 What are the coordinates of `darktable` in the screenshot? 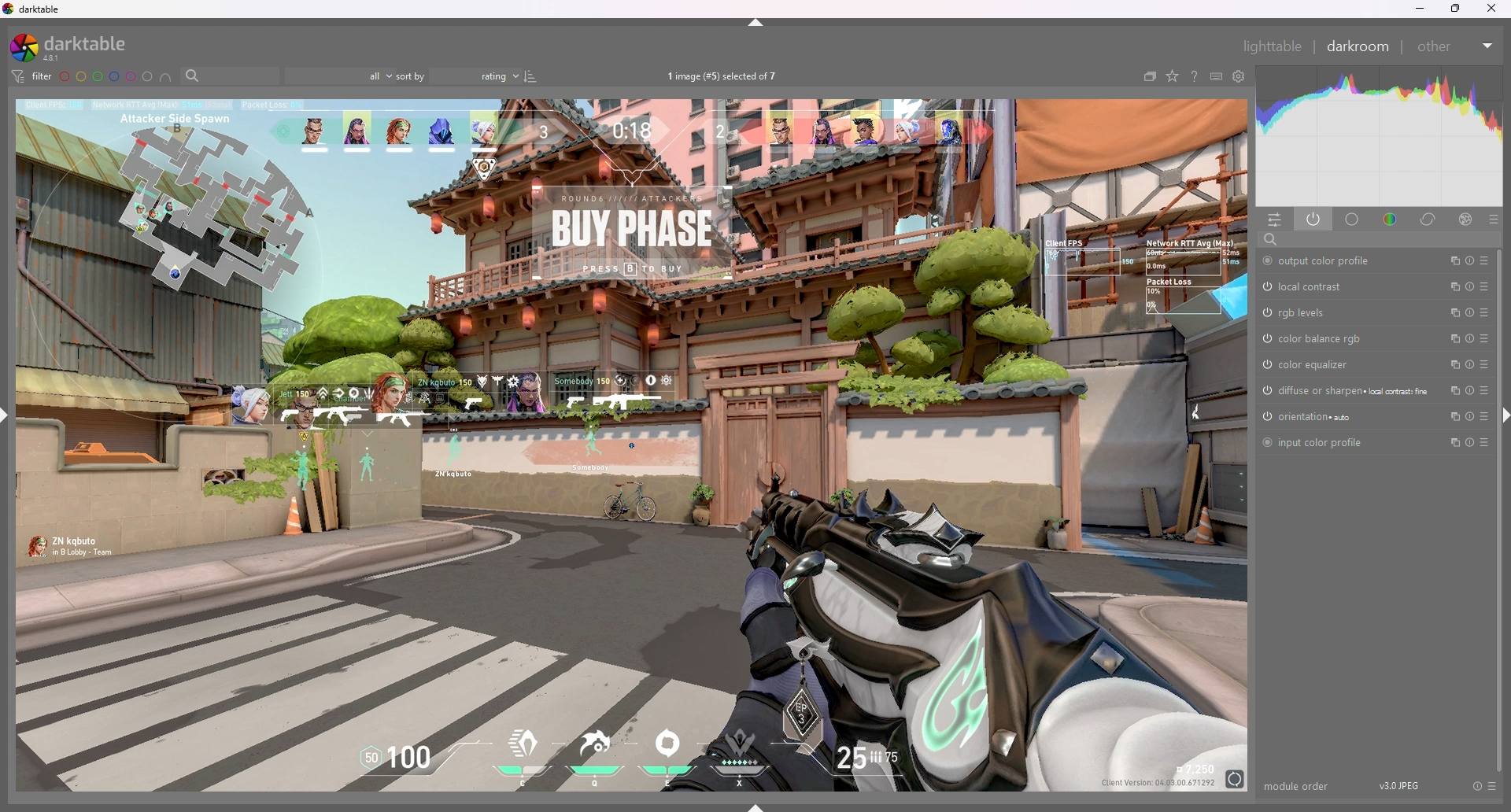 It's located at (35, 9).